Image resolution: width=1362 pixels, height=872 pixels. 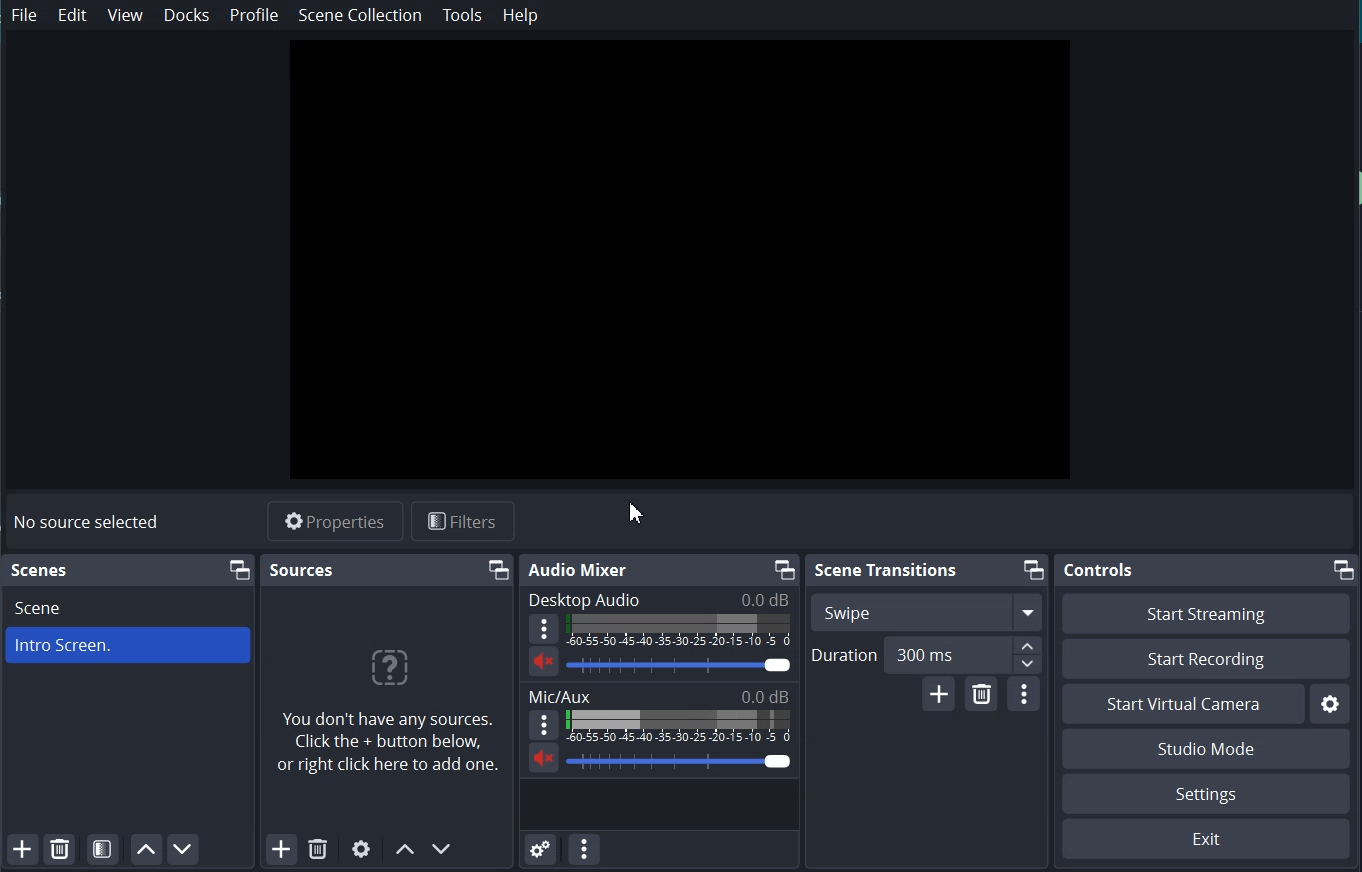 What do you see at coordinates (1207, 659) in the screenshot?
I see `Start Recording` at bounding box center [1207, 659].